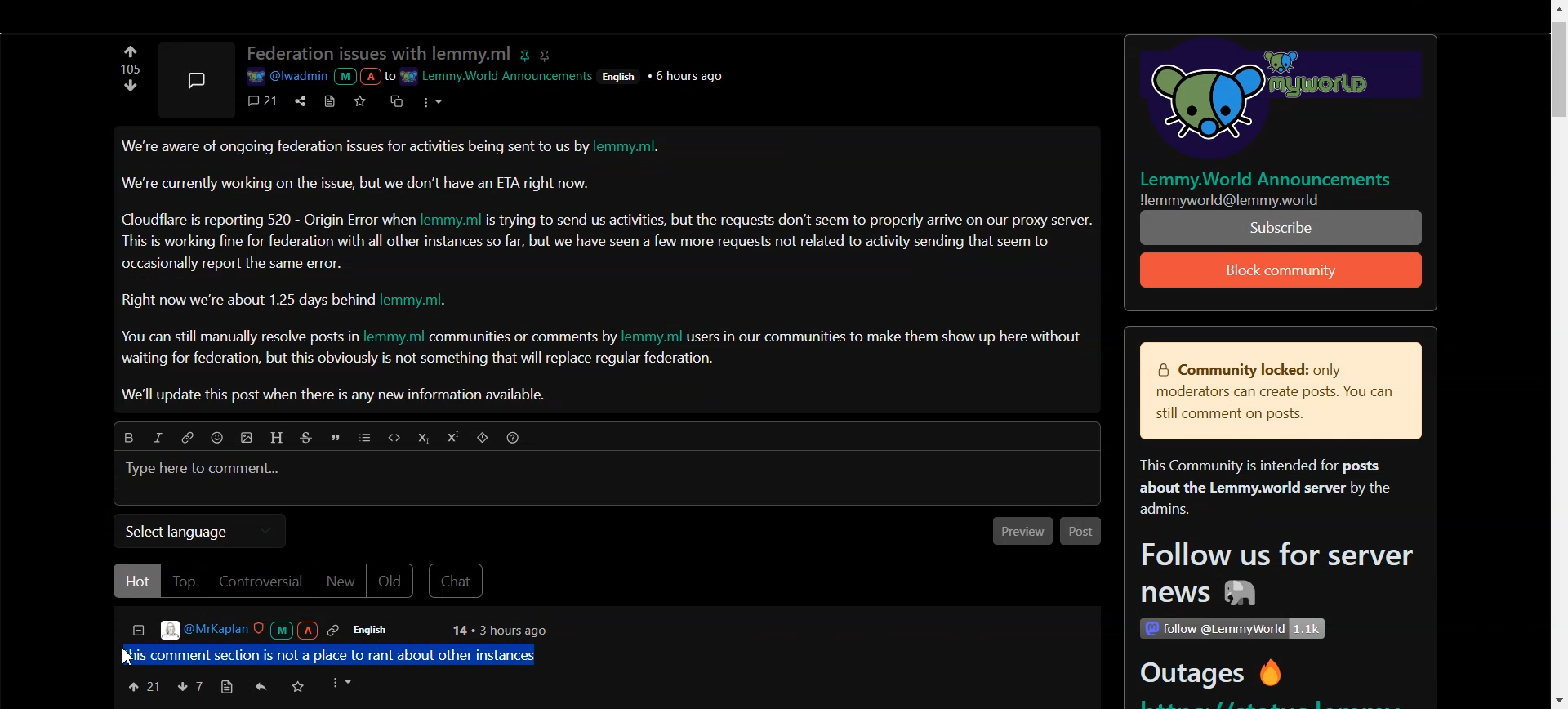  What do you see at coordinates (336, 395) in the screenshot?
I see `We'll update this post when there is any new information available.` at bounding box center [336, 395].